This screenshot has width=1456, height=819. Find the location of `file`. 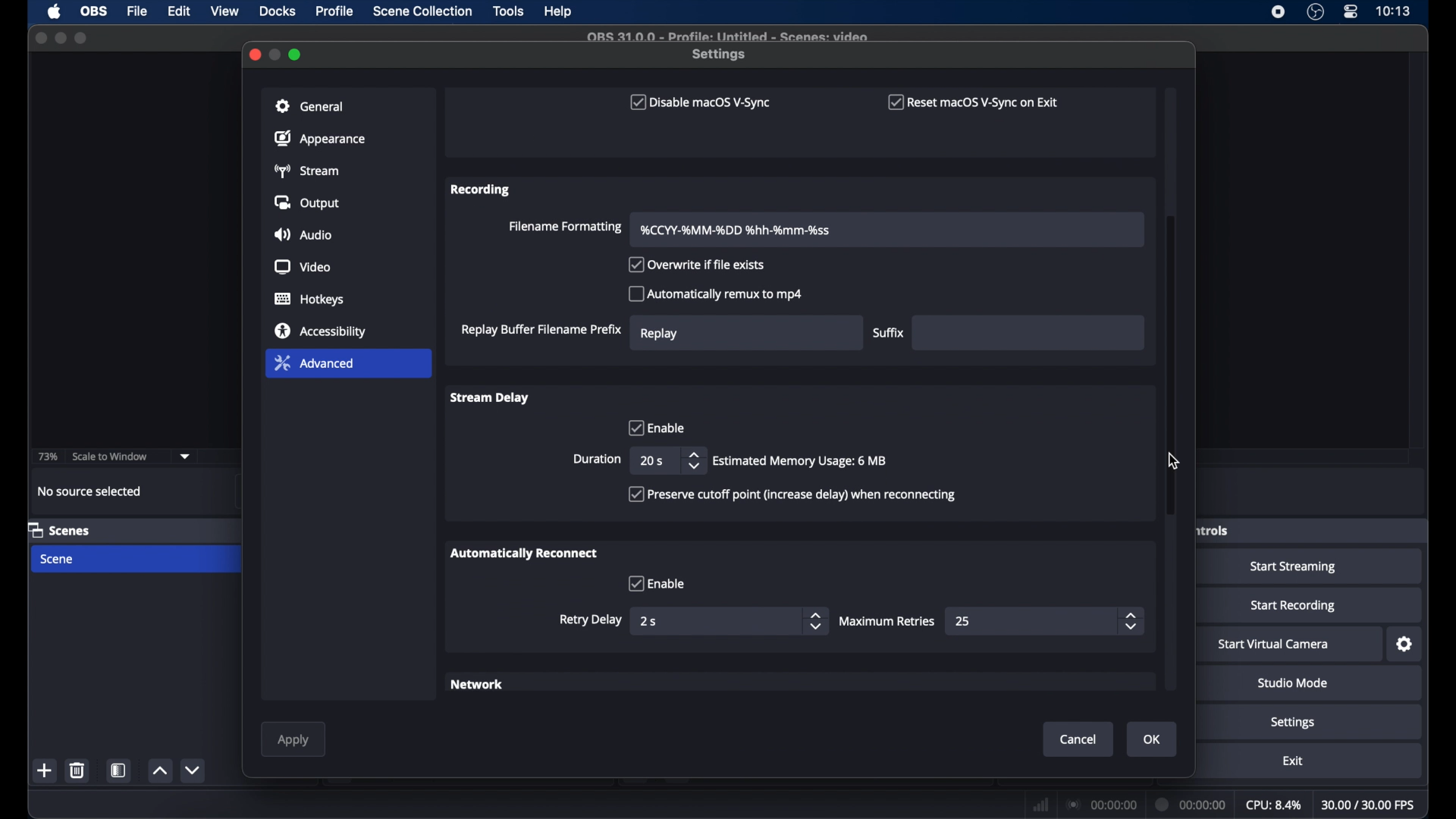

file is located at coordinates (137, 12).